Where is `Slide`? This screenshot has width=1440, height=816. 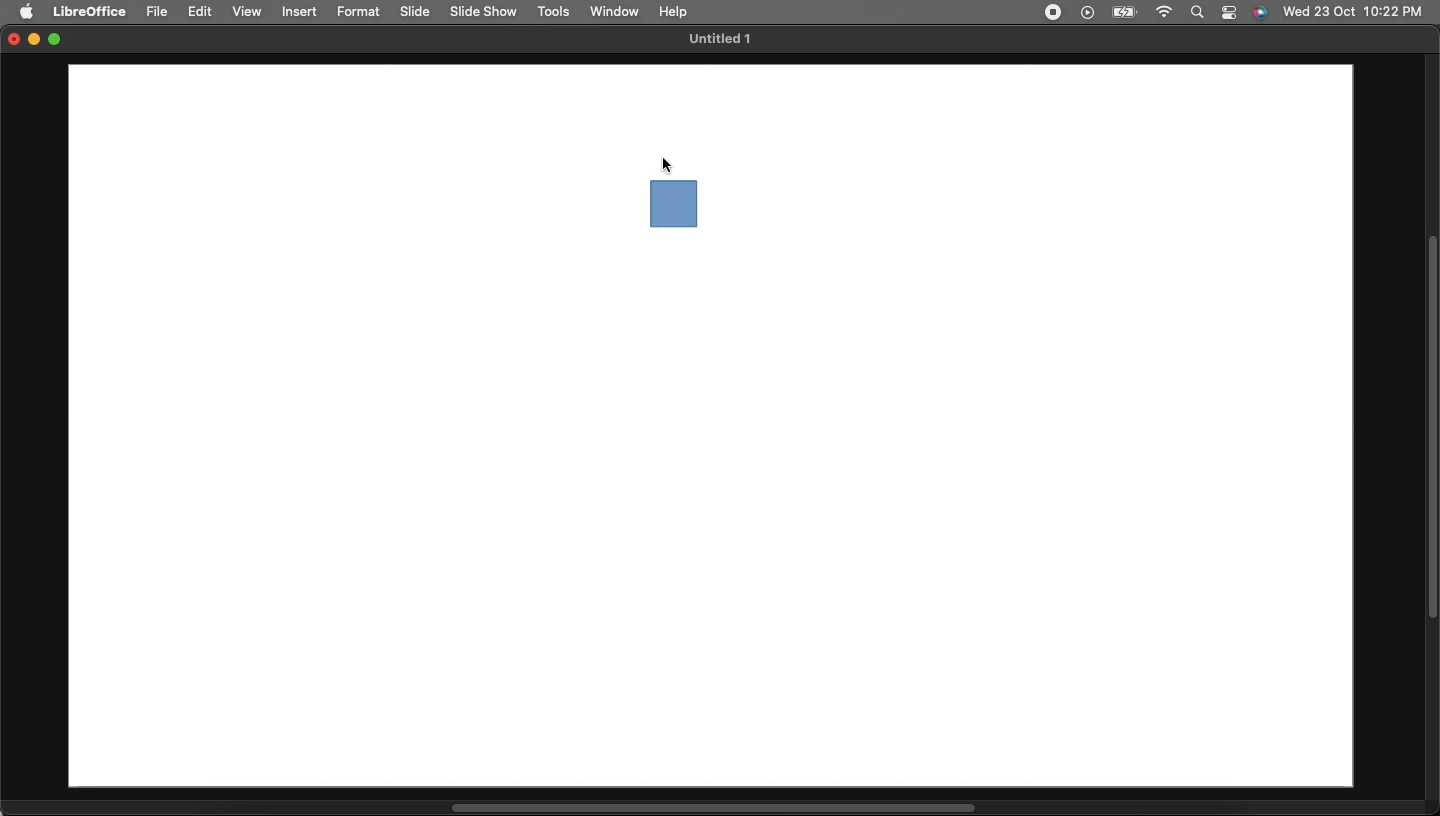 Slide is located at coordinates (417, 12).